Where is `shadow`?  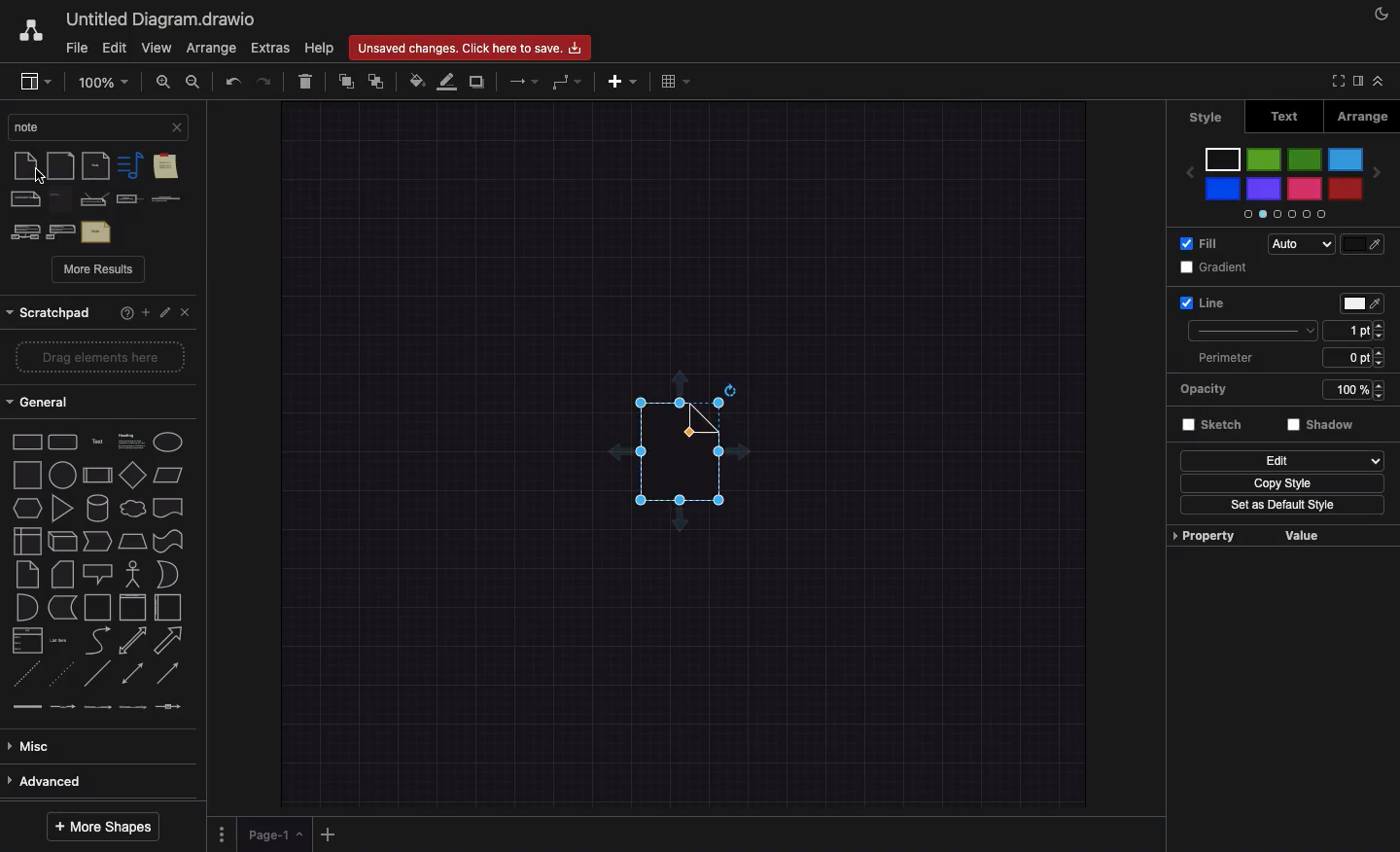
shadow is located at coordinates (1323, 428).